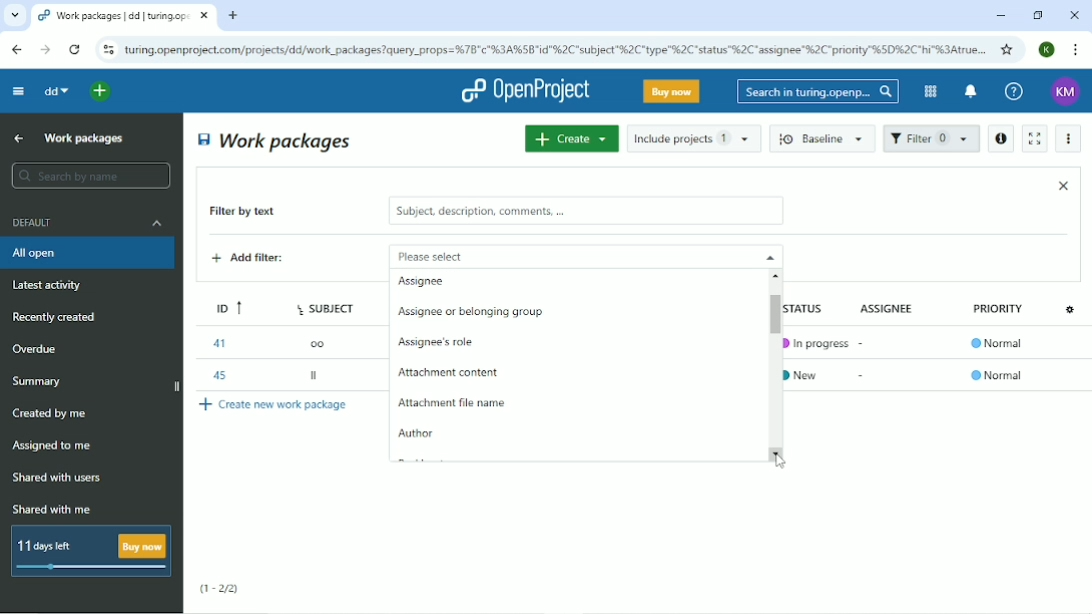 Image resolution: width=1092 pixels, height=614 pixels. What do you see at coordinates (55, 91) in the screenshot?
I see `dd` at bounding box center [55, 91].